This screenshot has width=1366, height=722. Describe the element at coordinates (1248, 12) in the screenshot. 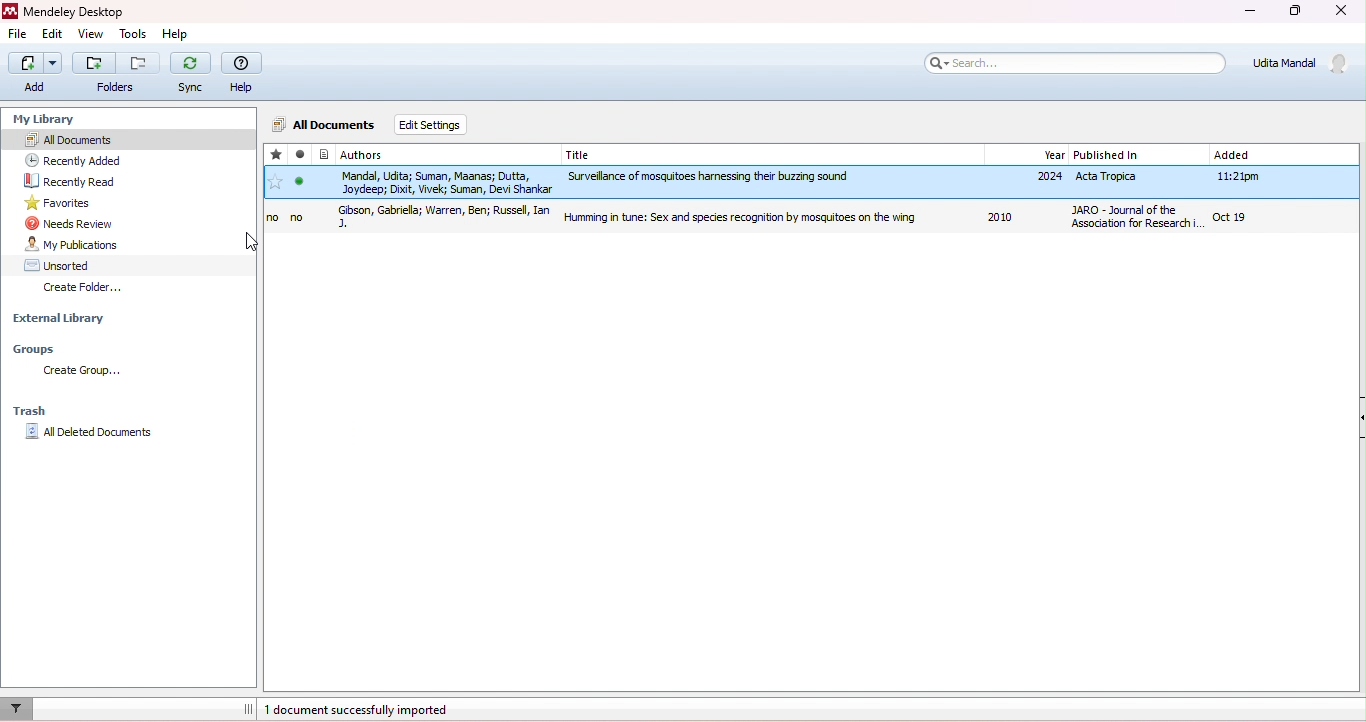

I see `minimize ` at that location.